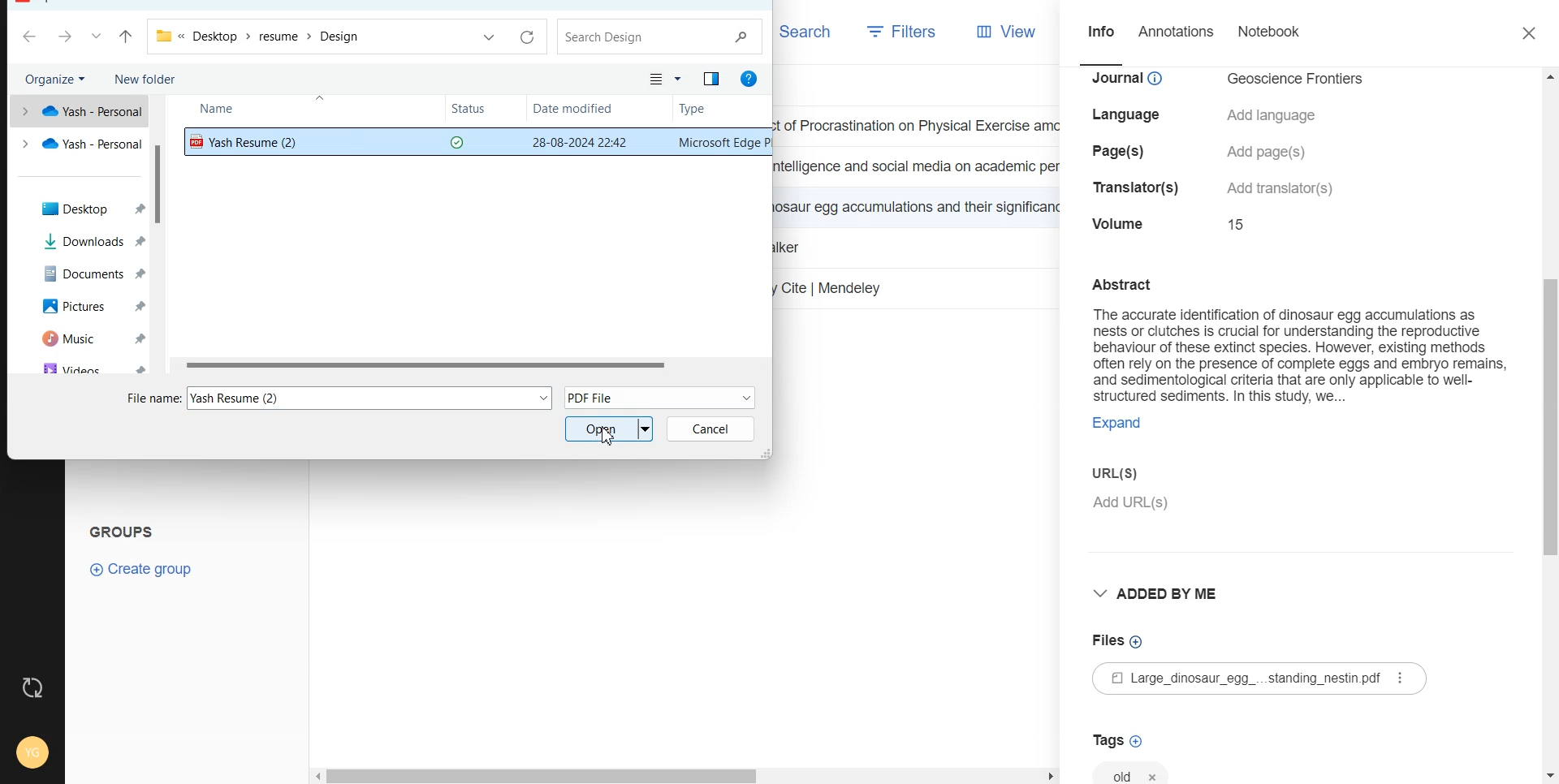 Image resolution: width=1559 pixels, height=784 pixels. Describe the element at coordinates (79, 209) in the screenshot. I see `Desktop` at that location.